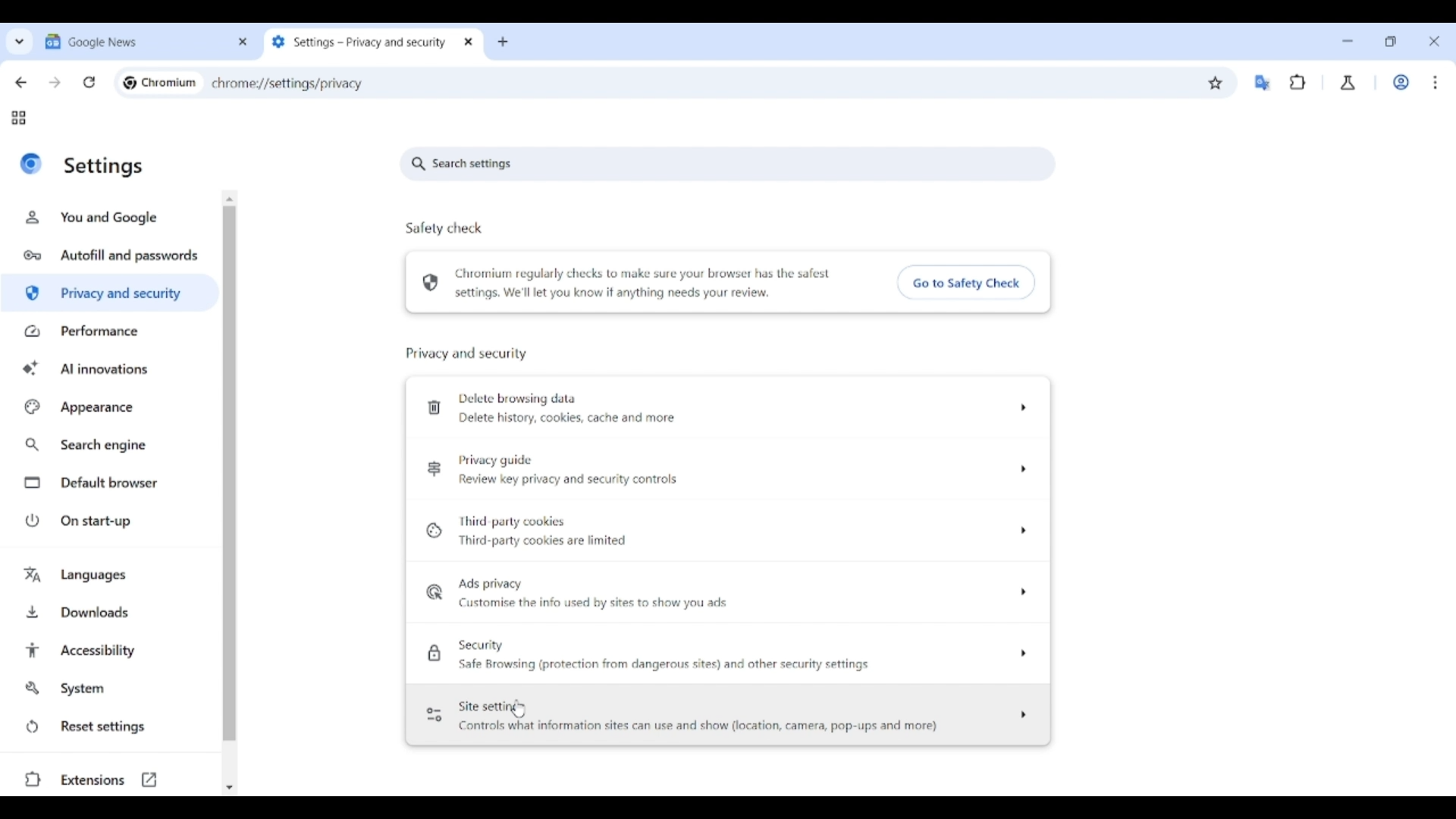  Describe the element at coordinates (229, 474) in the screenshot. I see `Vertical slide bar` at that location.